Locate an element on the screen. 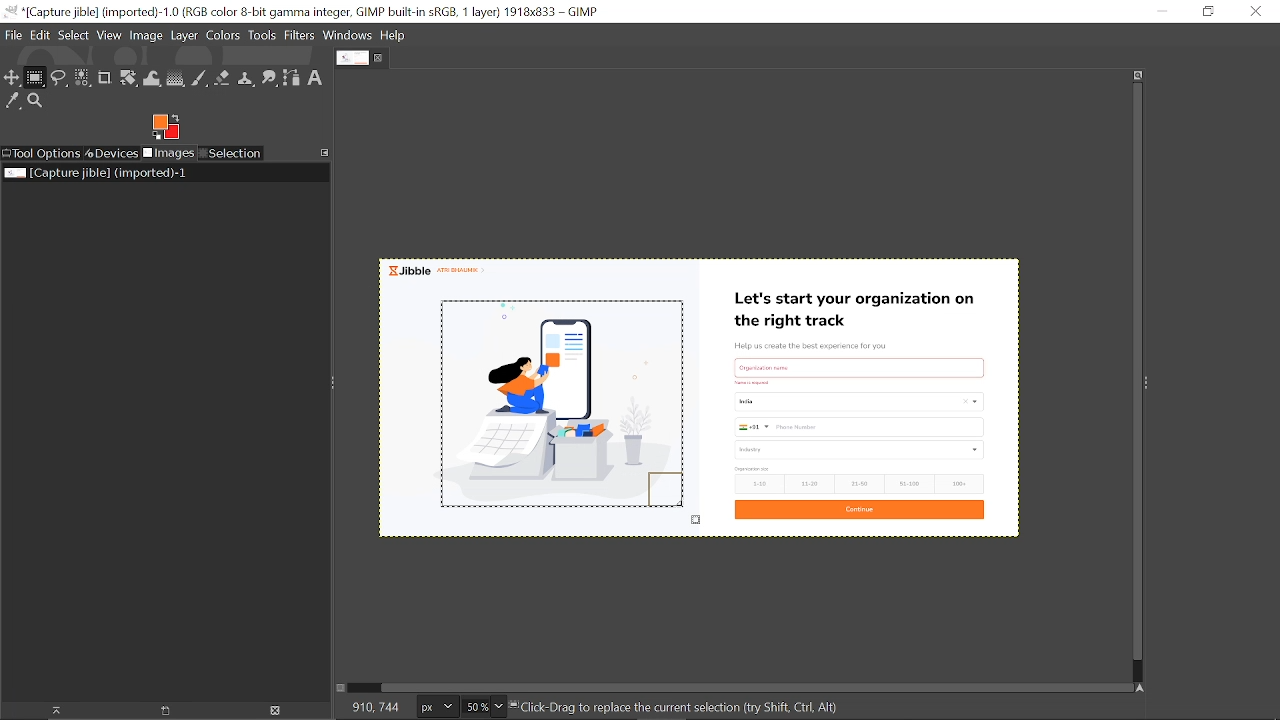 Image resolution: width=1280 pixels, height=720 pixels. 1-10 is located at coordinates (756, 484).